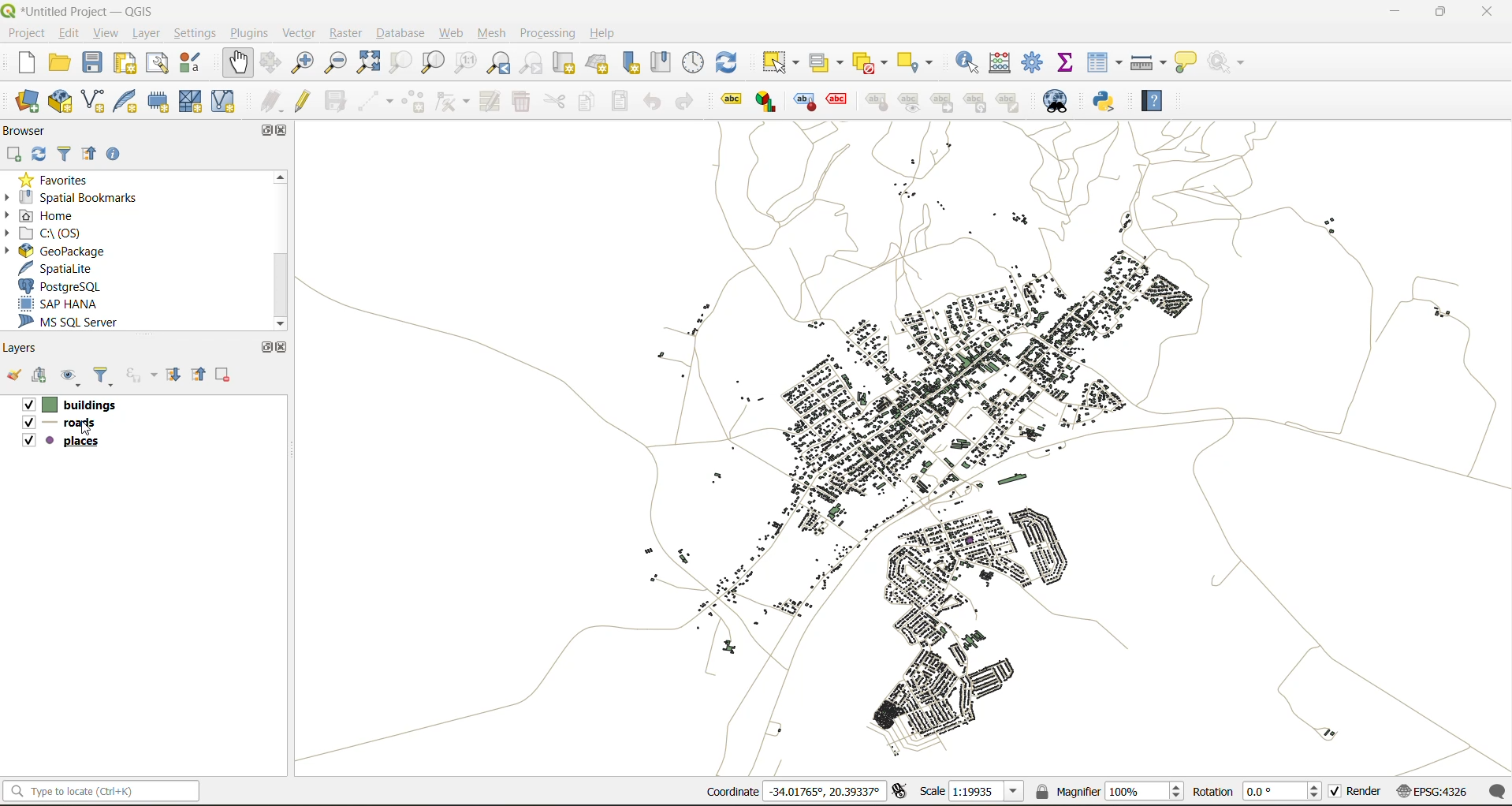 The height and width of the screenshot is (806, 1512). I want to click on raster, so click(348, 35).